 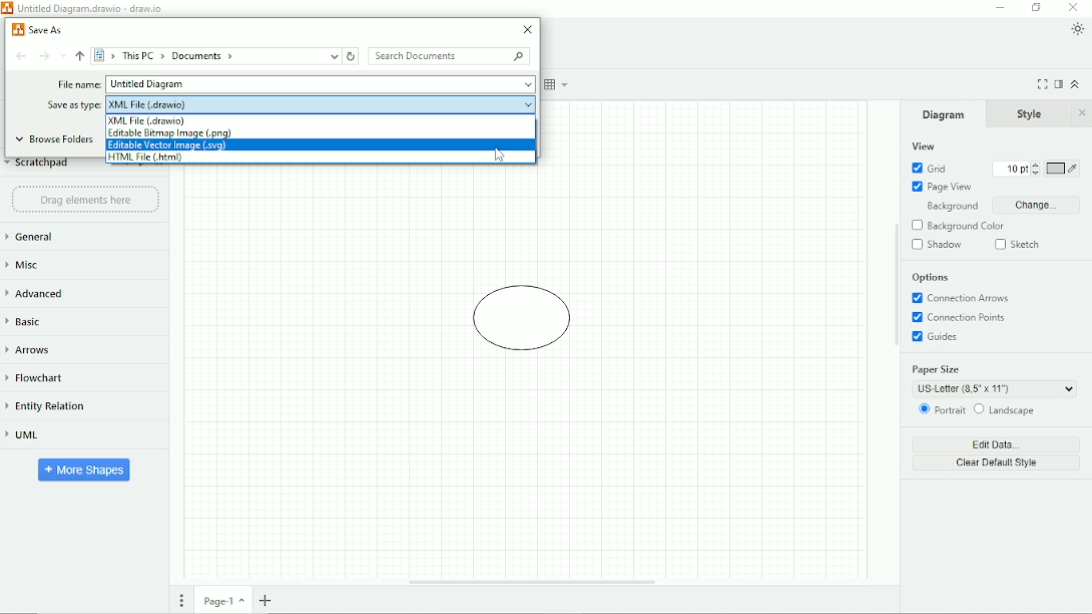 What do you see at coordinates (35, 352) in the screenshot?
I see `Arrows` at bounding box center [35, 352].